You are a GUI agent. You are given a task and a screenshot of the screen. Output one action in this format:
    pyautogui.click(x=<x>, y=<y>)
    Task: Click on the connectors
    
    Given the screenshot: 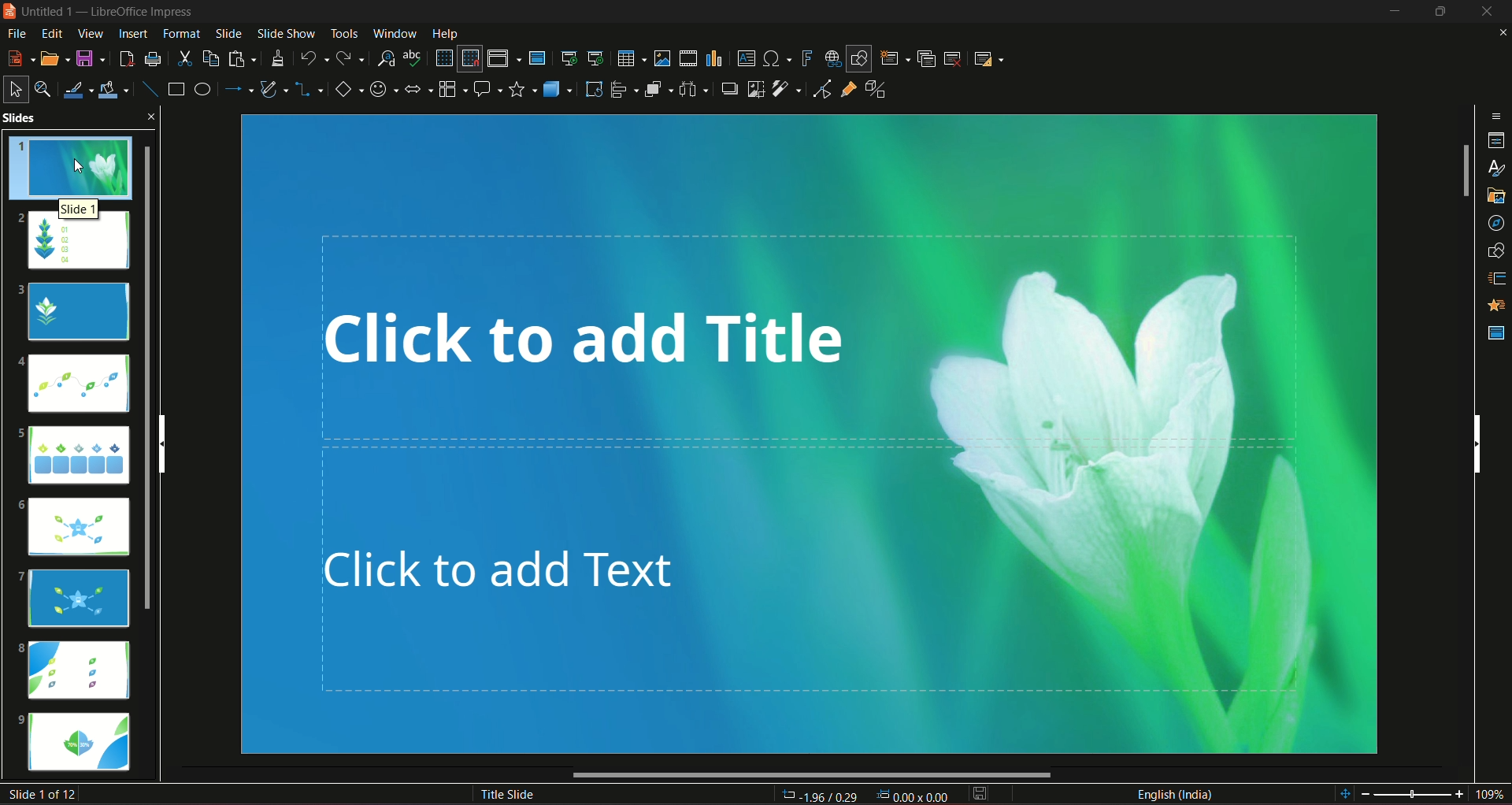 What is the action you would take?
    pyautogui.click(x=309, y=90)
    